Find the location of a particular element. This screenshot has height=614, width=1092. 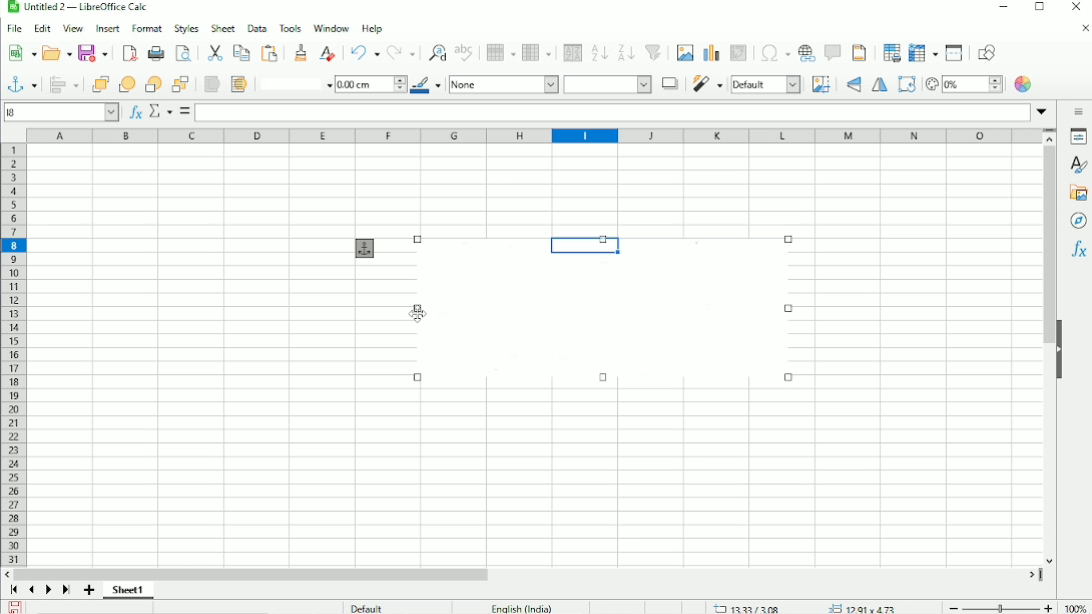

Expand formula bar is located at coordinates (1045, 111).